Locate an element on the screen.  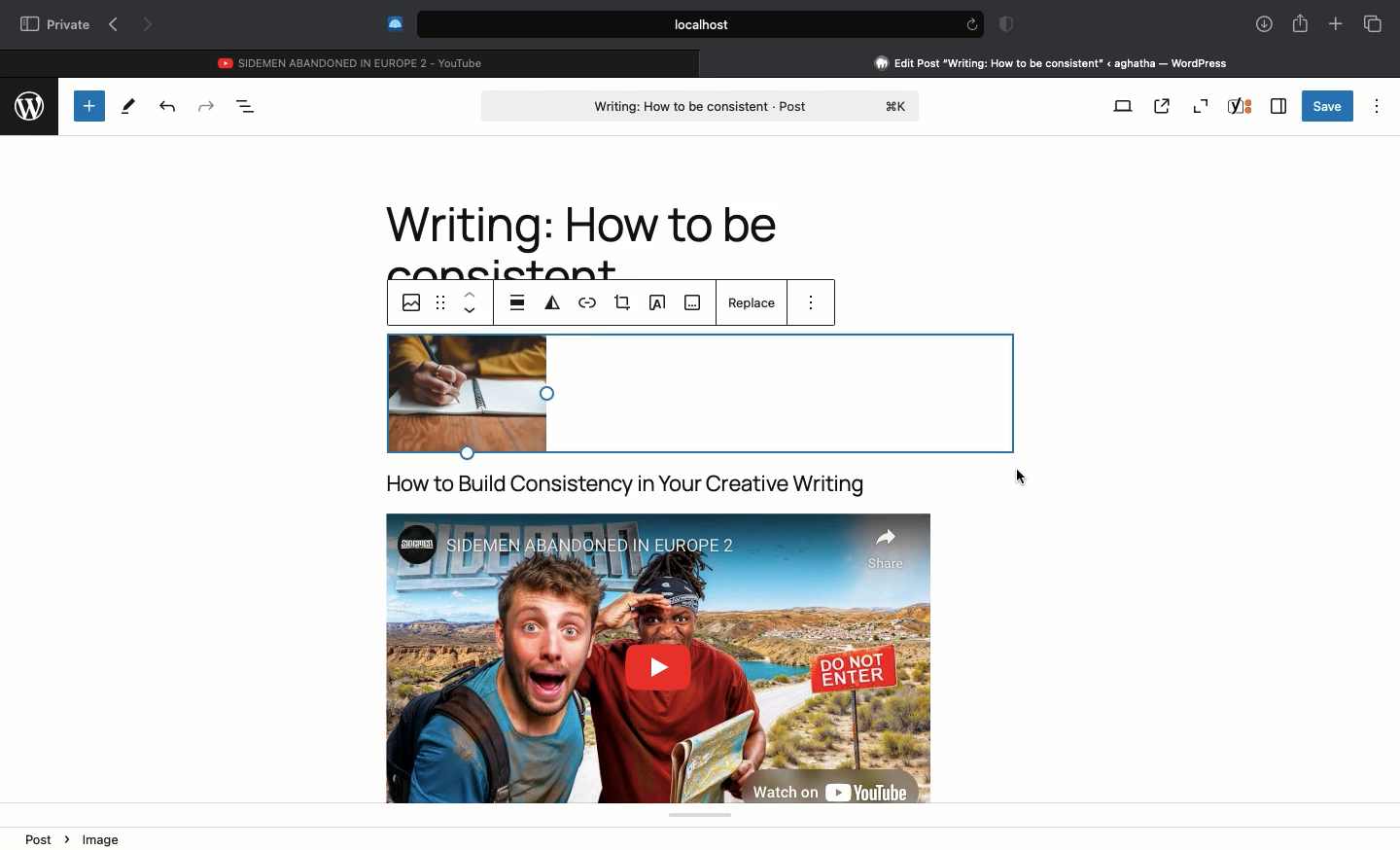
Share is located at coordinates (1300, 21).